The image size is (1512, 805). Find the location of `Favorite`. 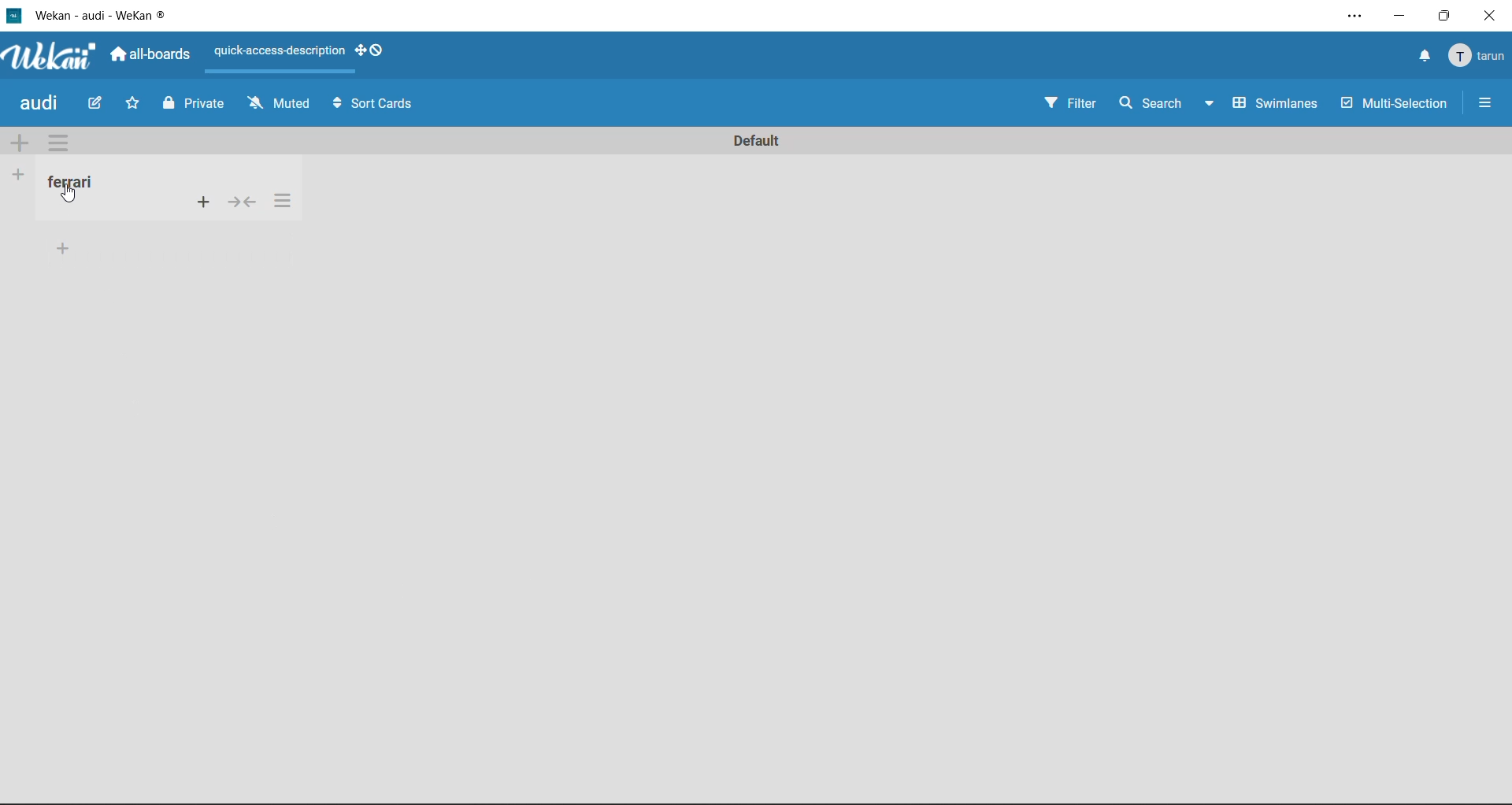

Favorite is located at coordinates (133, 103).